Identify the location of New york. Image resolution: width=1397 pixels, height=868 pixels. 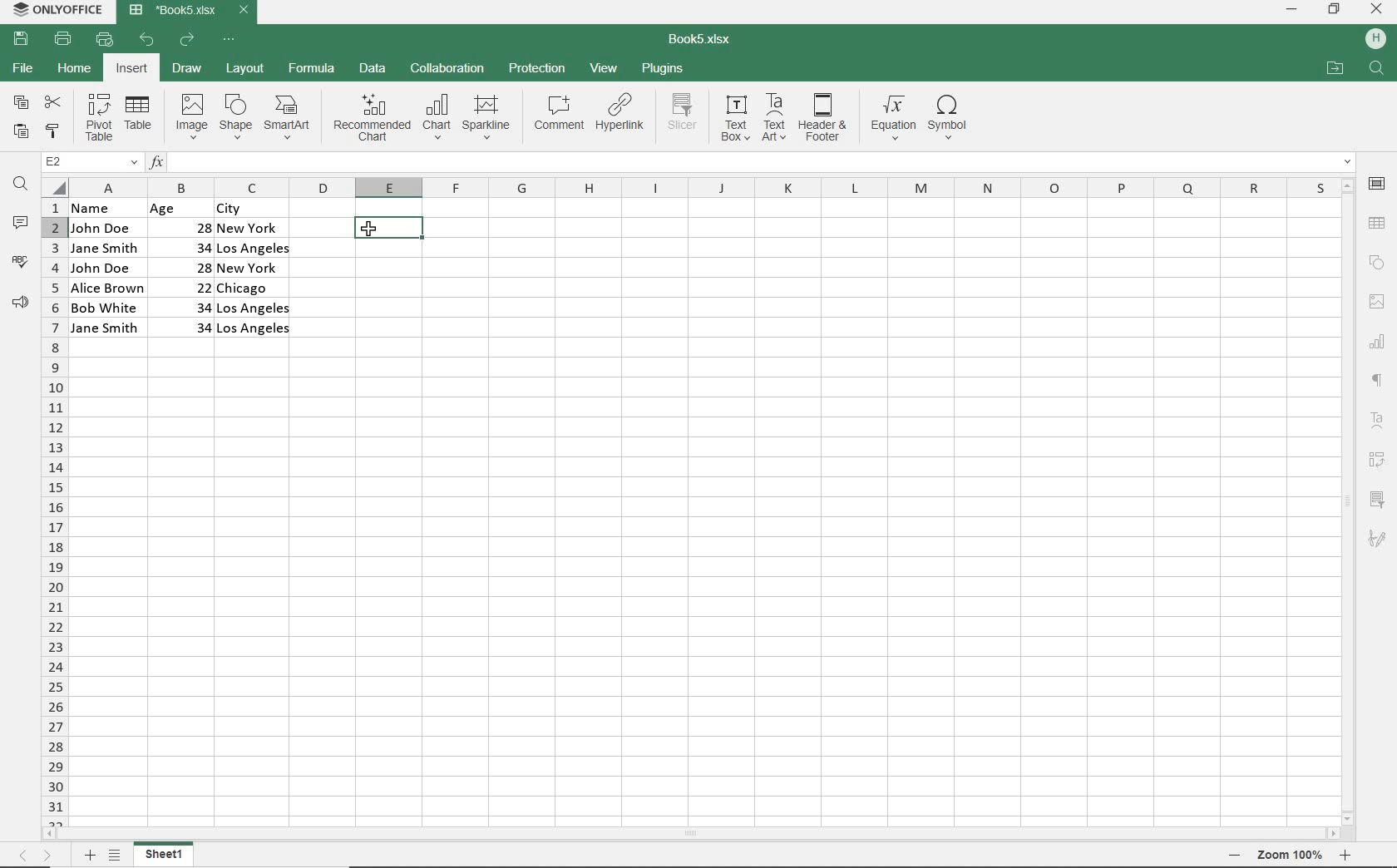
(251, 229).